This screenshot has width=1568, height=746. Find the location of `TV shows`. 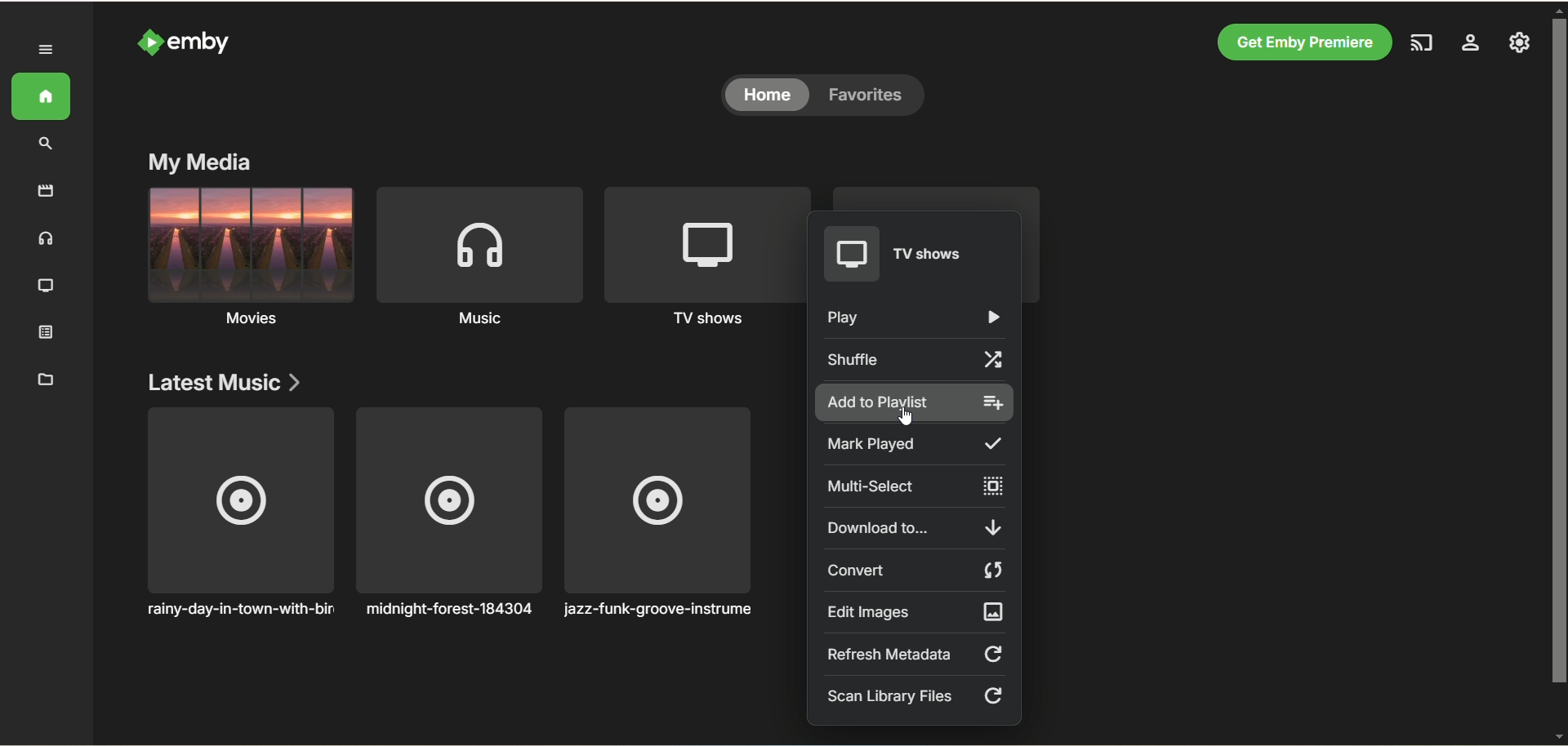

TV shows is located at coordinates (911, 254).